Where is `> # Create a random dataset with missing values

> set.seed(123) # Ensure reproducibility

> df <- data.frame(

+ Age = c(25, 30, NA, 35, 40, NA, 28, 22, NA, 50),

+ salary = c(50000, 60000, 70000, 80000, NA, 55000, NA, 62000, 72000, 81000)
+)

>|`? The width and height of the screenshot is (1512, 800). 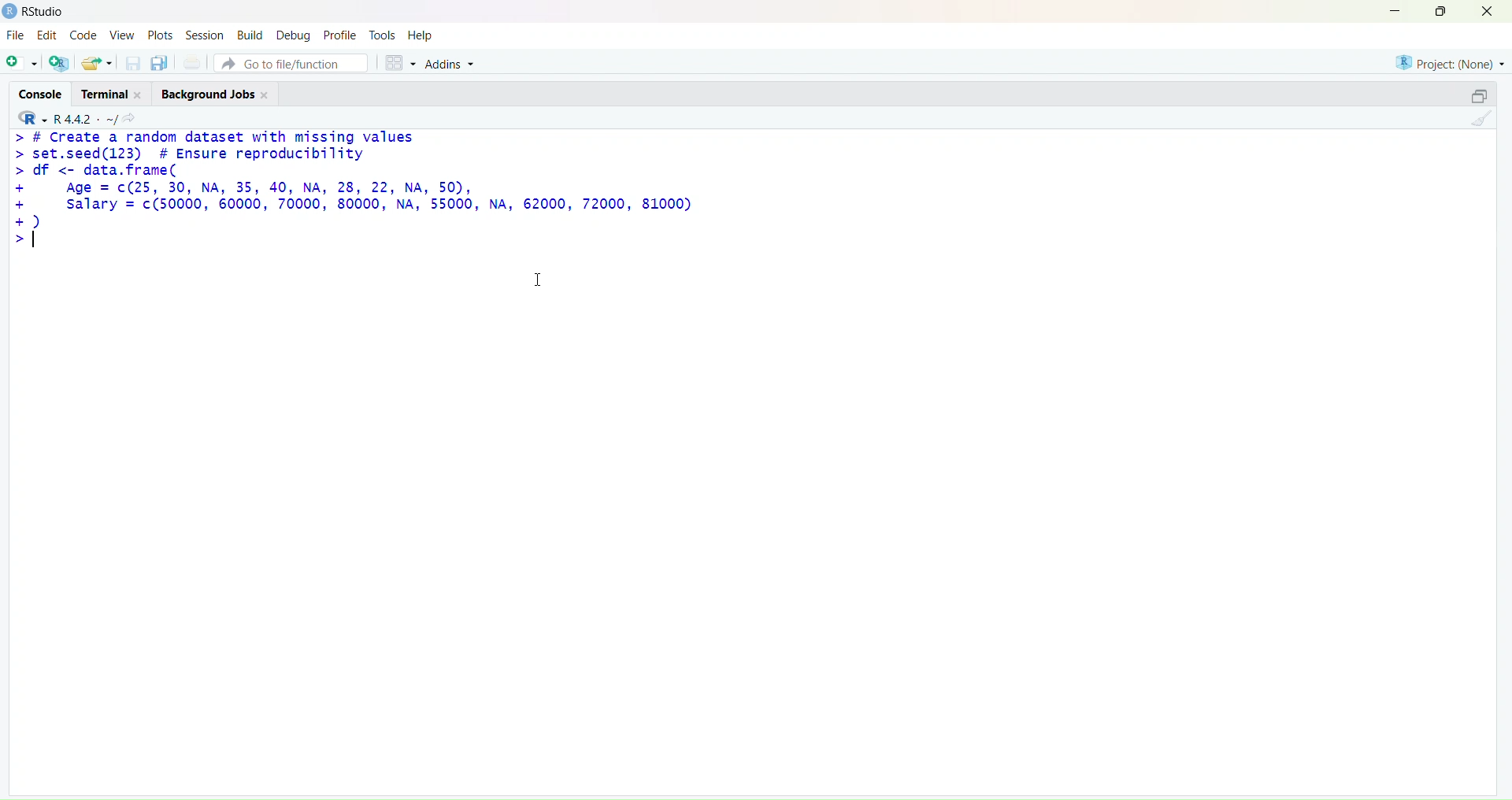 > # Create a random dataset with missing values

> set.seed(123) # Ensure reproducibility

> df <- data.frame(

+ Age = c(25, 30, NA, 35, 40, NA, 28, 22, NA, 50),

+ salary = c(50000, 60000, 70000, 80000, NA, 55000, NA, 62000, 72000, 81000)
+)

>| is located at coordinates (393, 194).